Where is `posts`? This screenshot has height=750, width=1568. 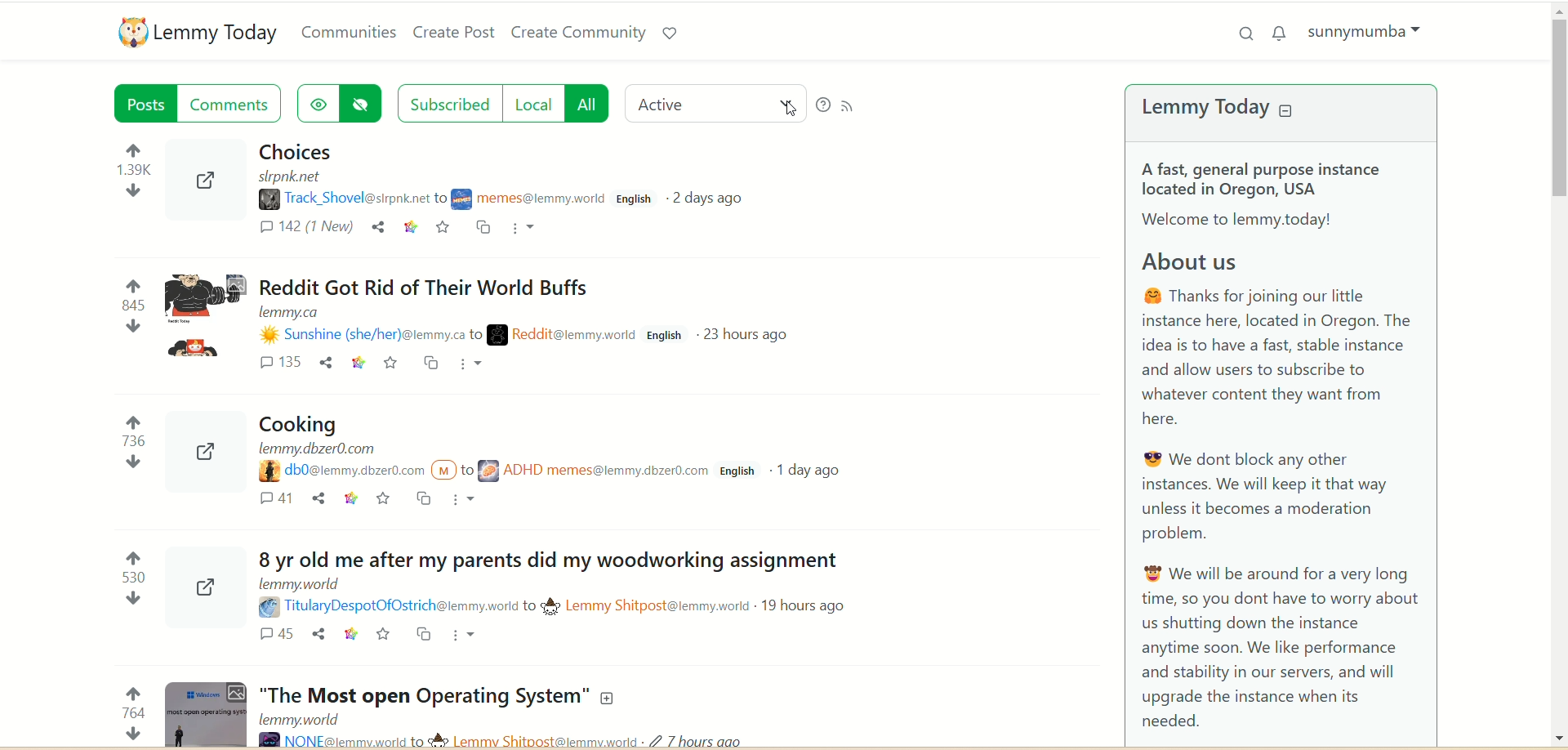
posts is located at coordinates (148, 106).